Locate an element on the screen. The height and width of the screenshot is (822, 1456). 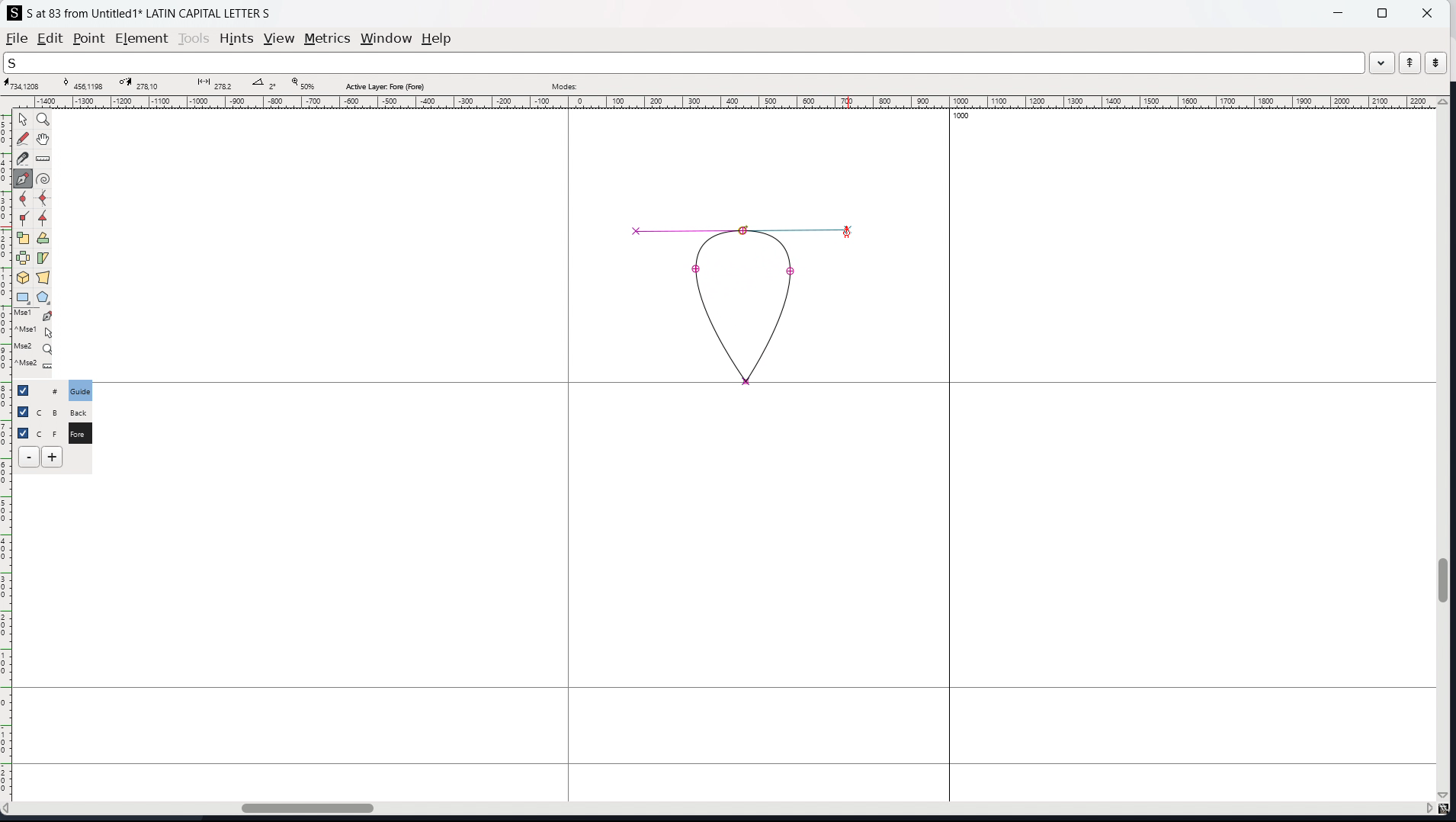
^Mse1 is located at coordinates (34, 332).